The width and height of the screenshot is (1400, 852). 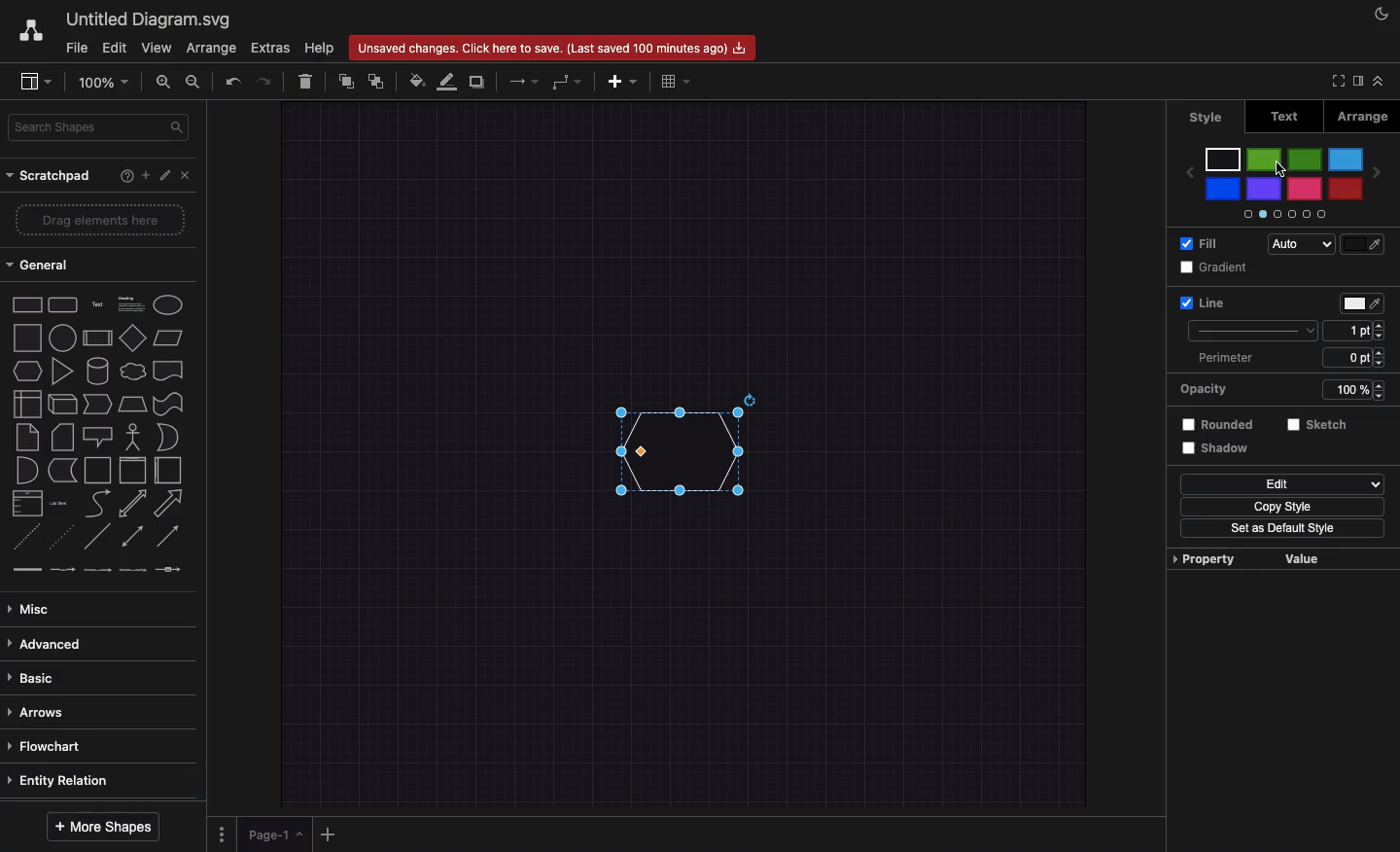 I want to click on Arrange, so click(x=211, y=49).